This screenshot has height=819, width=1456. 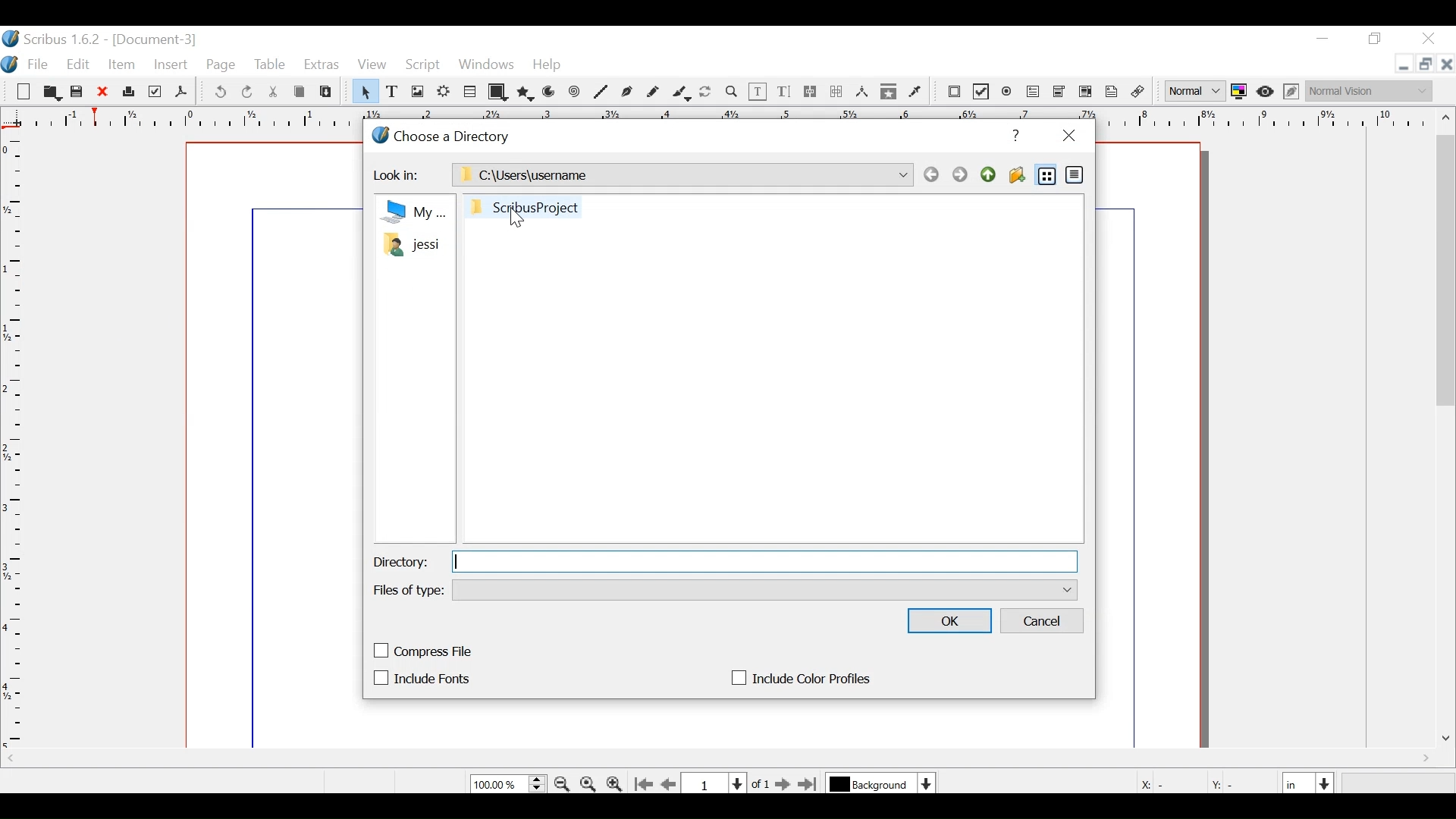 I want to click on Item, so click(x=121, y=67).